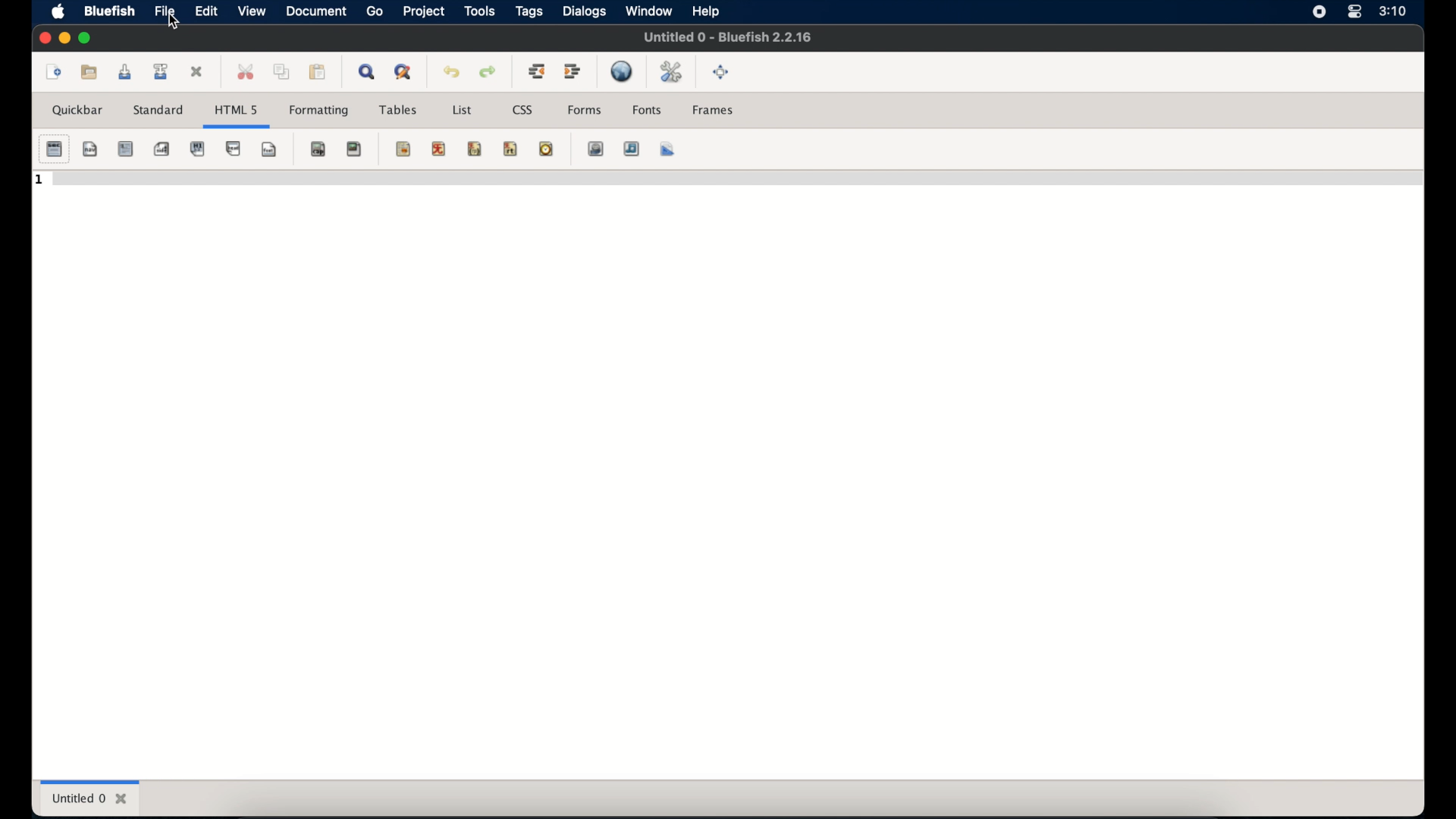 The height and width of the screenshot is (819, 1456). What do you see at coordinates (727, 36) in the screenshot?
I see `untitled 0 - bluefish 2.2.16` at bounding box center [727, 36].